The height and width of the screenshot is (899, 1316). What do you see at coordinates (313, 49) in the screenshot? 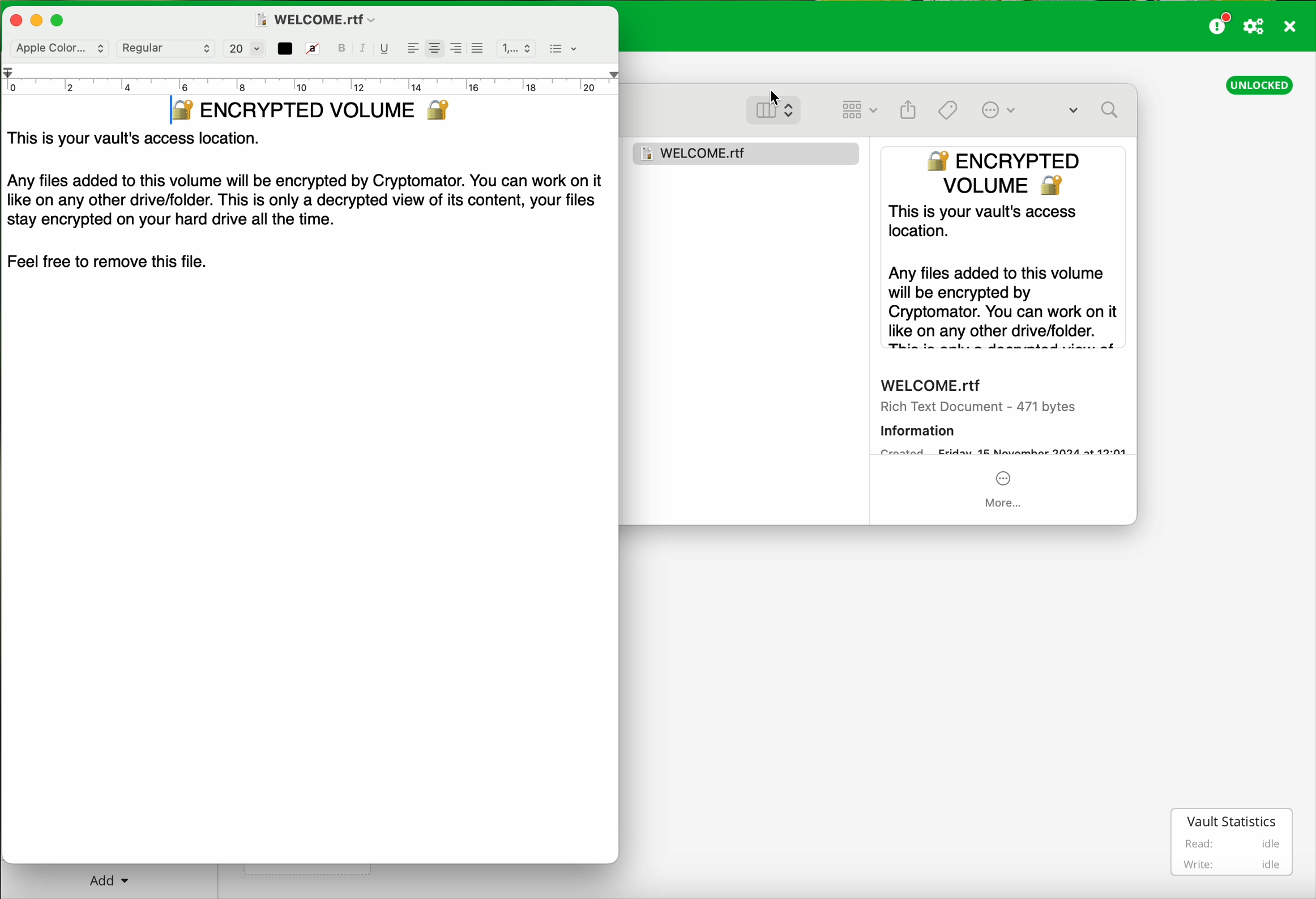
I see `strikethrough` at bounding box center [313, 49].